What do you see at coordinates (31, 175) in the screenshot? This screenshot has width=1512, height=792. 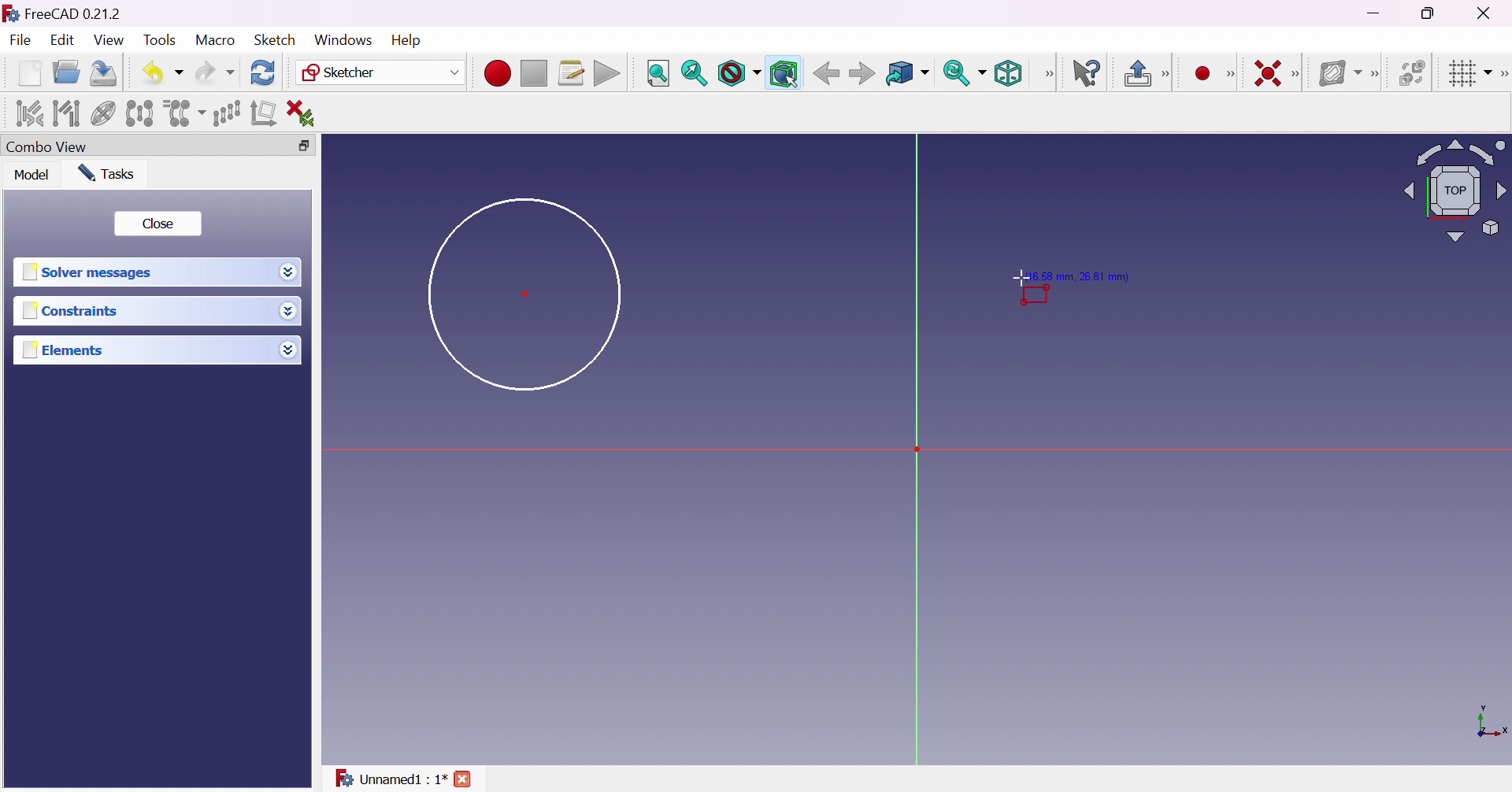 I see `Model` at bounding box center [31, 175].